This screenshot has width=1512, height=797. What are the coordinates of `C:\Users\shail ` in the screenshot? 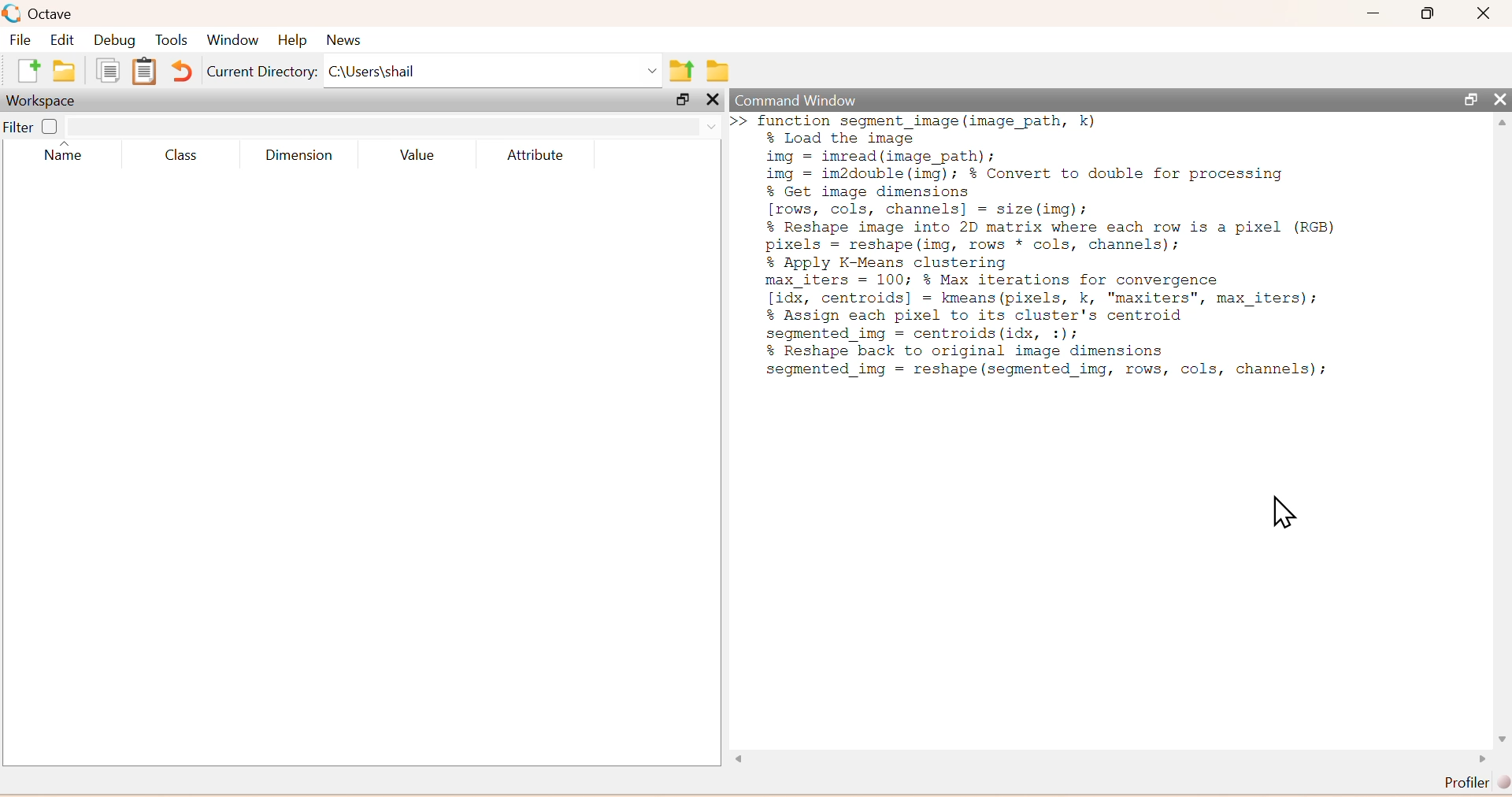 It's located at (495, 74).